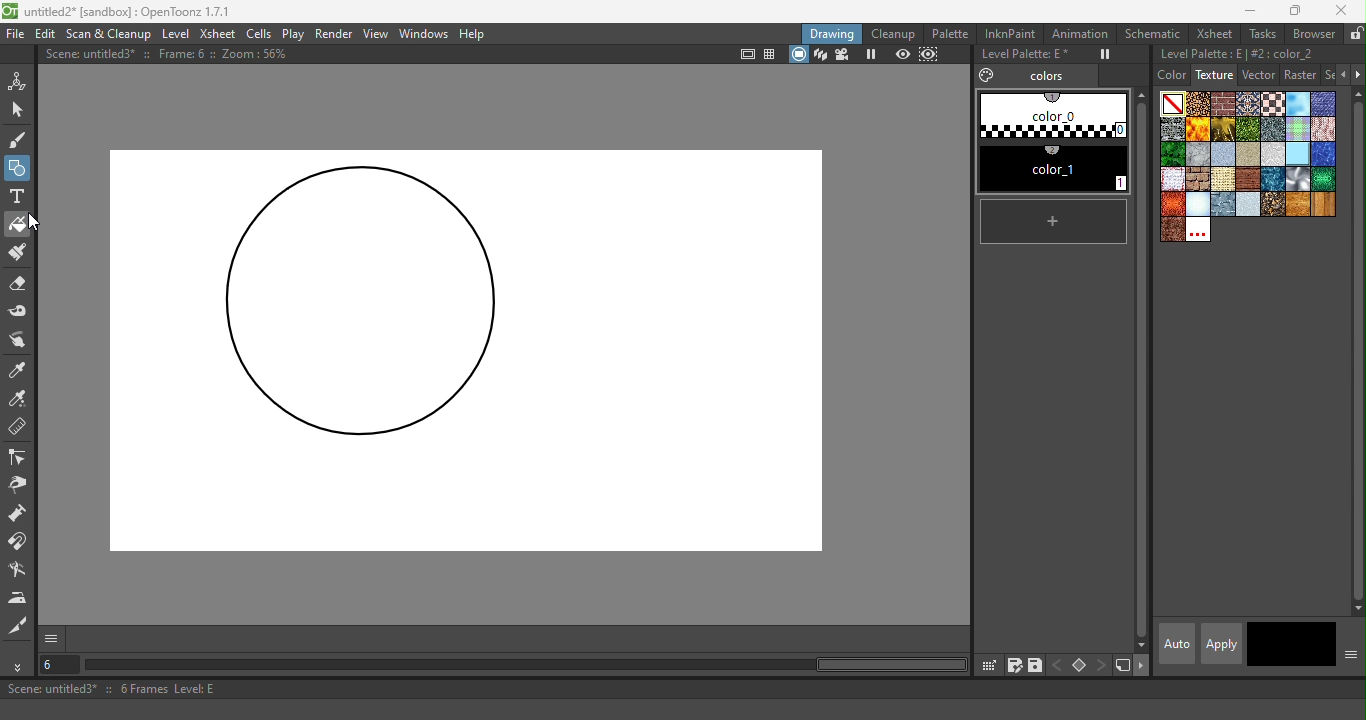 The width and height of the screenshot is (1366, 720). Describe the element at coordinates (1265, 644) in the screenshot. I see `Current style` at that location.